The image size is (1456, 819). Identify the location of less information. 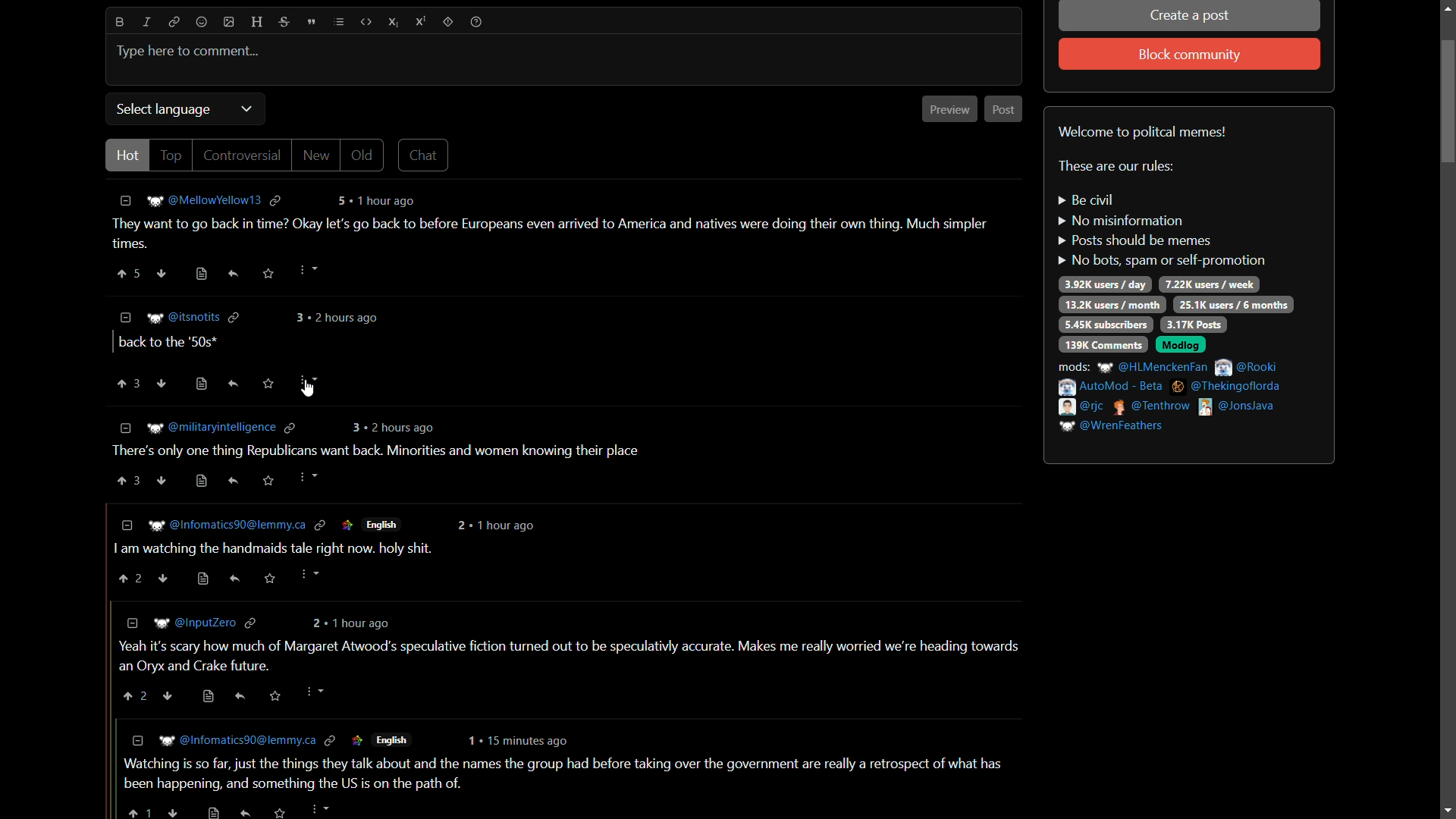
(126, 316).